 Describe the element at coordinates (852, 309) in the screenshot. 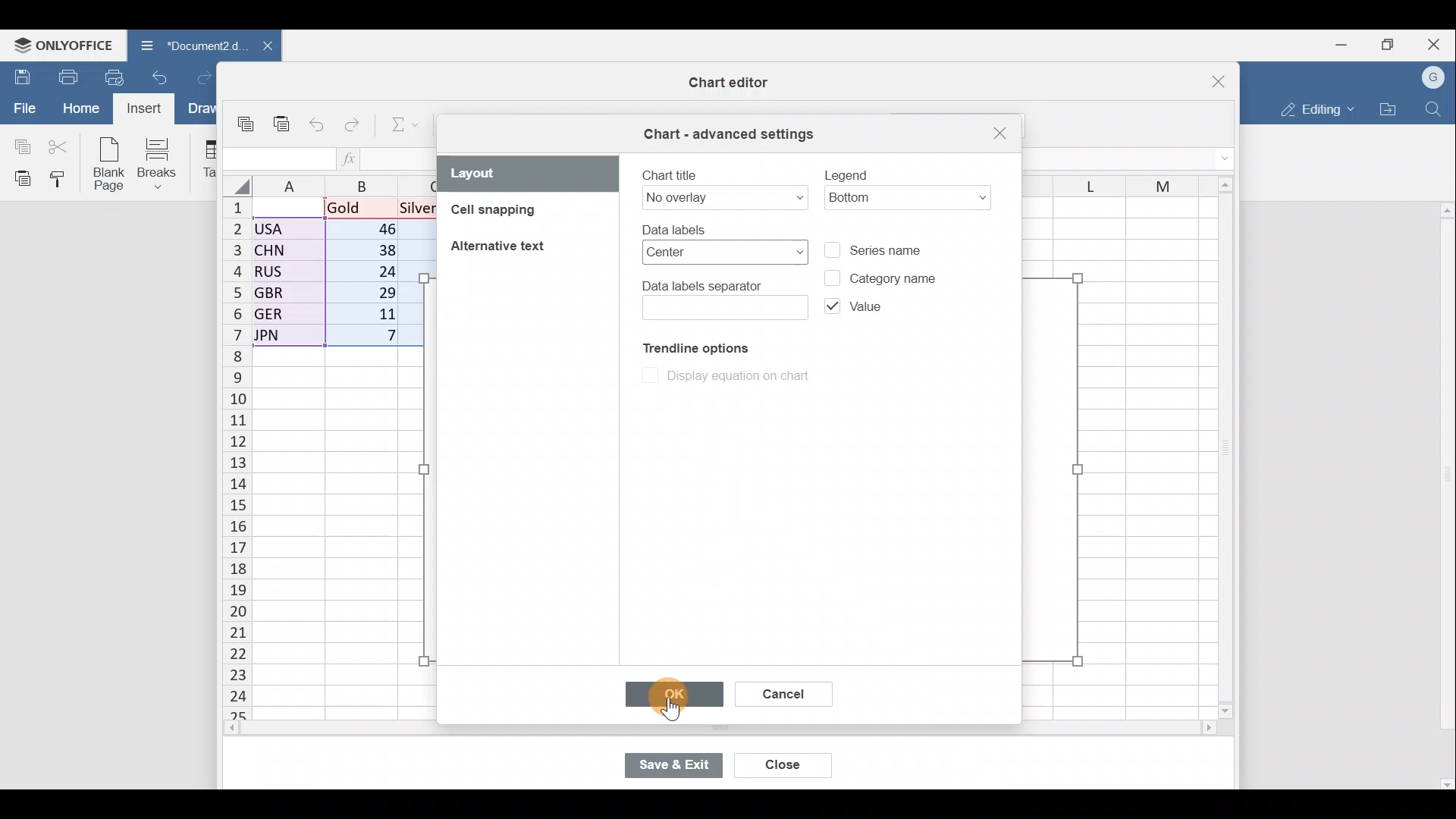

I see `Value` at that location.